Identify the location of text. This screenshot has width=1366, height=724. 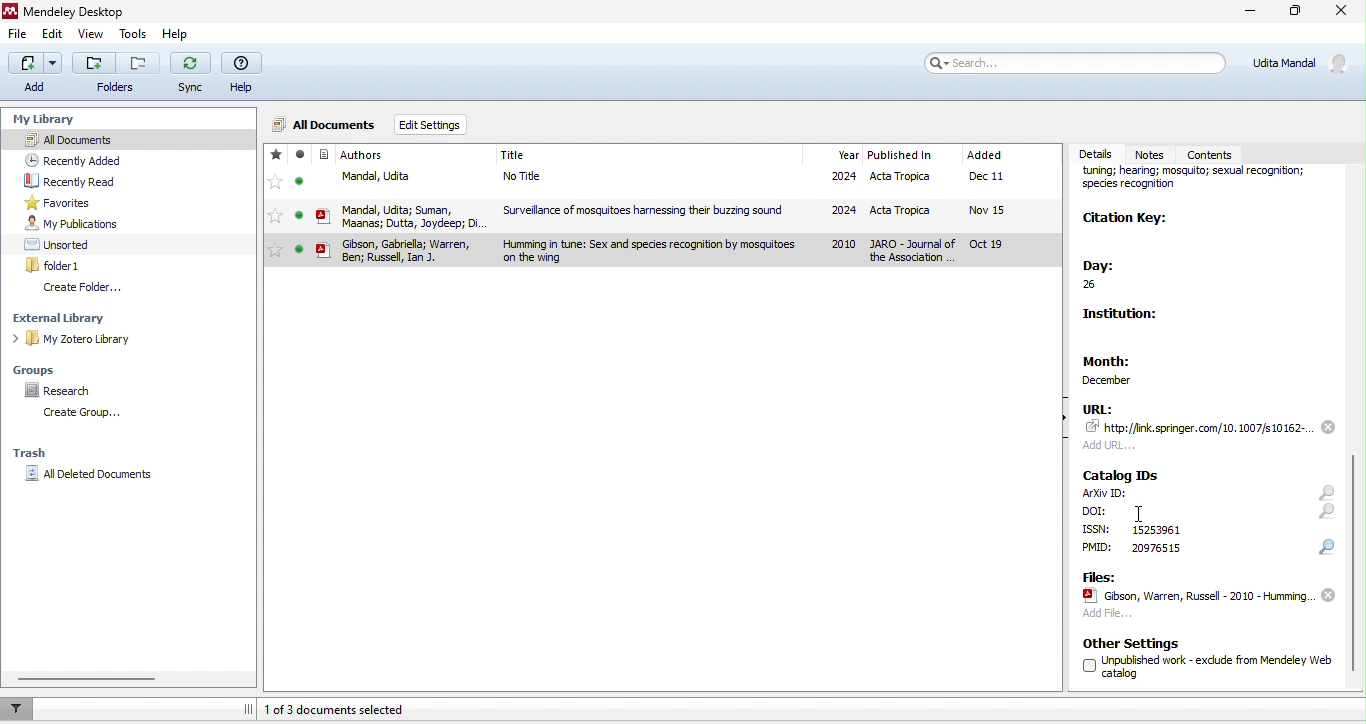
(1155, 548).